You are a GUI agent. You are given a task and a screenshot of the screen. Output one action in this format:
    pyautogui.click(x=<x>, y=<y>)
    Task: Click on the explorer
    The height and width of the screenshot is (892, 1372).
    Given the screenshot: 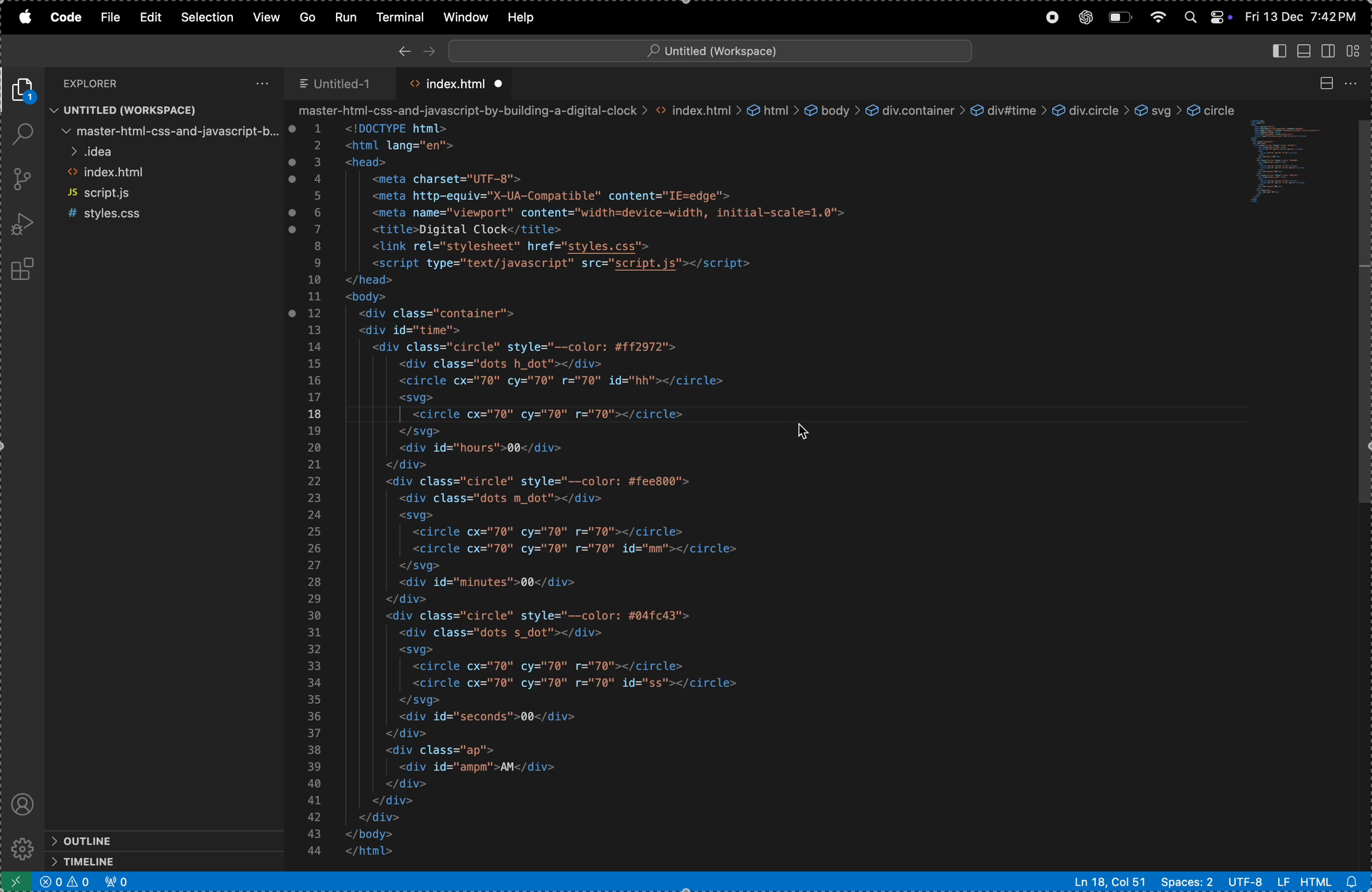 What is the action you would take?
    pyautogui.click(x=25, y=90)
    